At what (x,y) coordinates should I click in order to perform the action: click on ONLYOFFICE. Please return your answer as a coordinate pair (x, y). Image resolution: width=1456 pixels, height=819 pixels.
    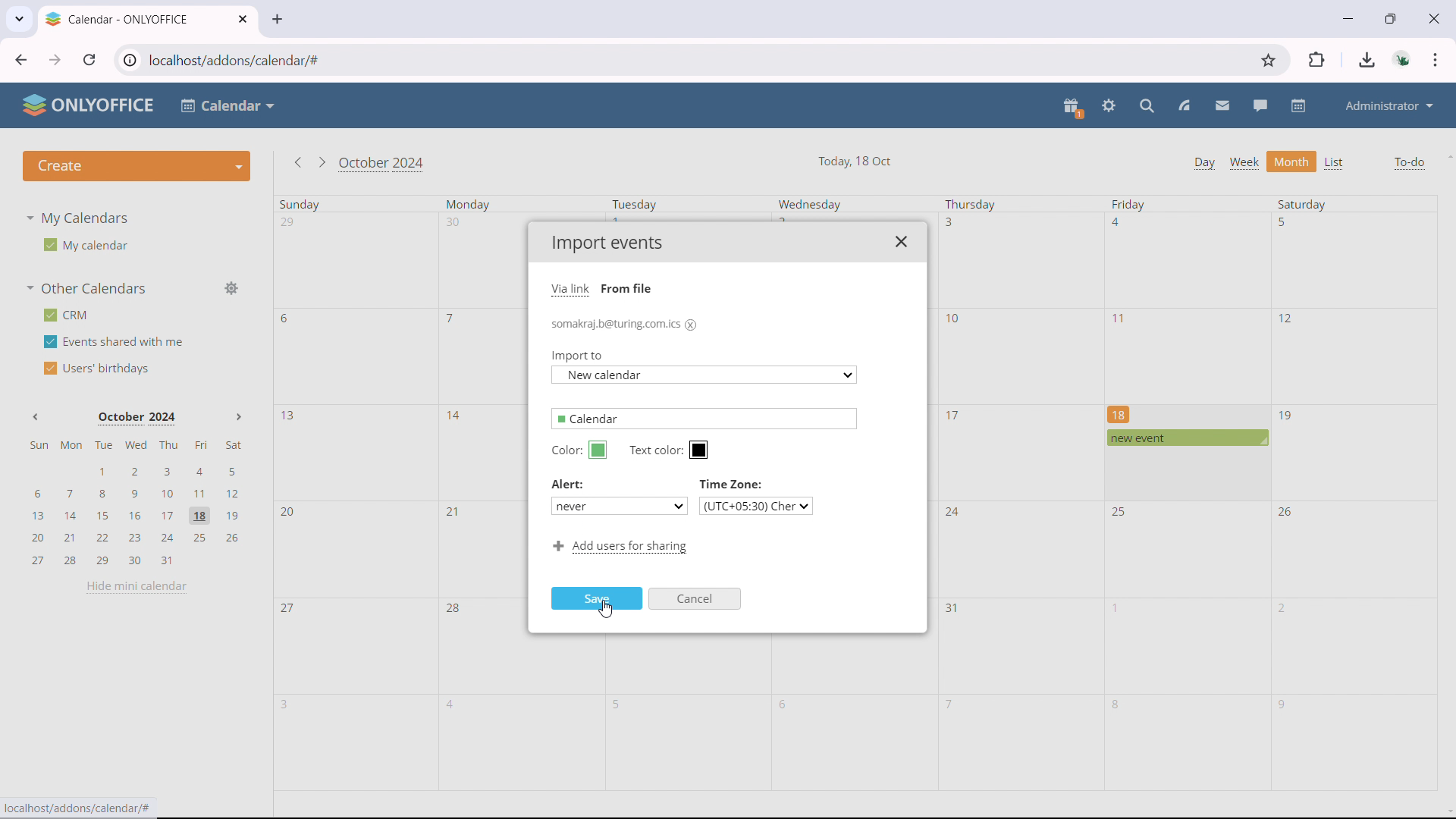
    Looking at the image, I should click on (89, 105).